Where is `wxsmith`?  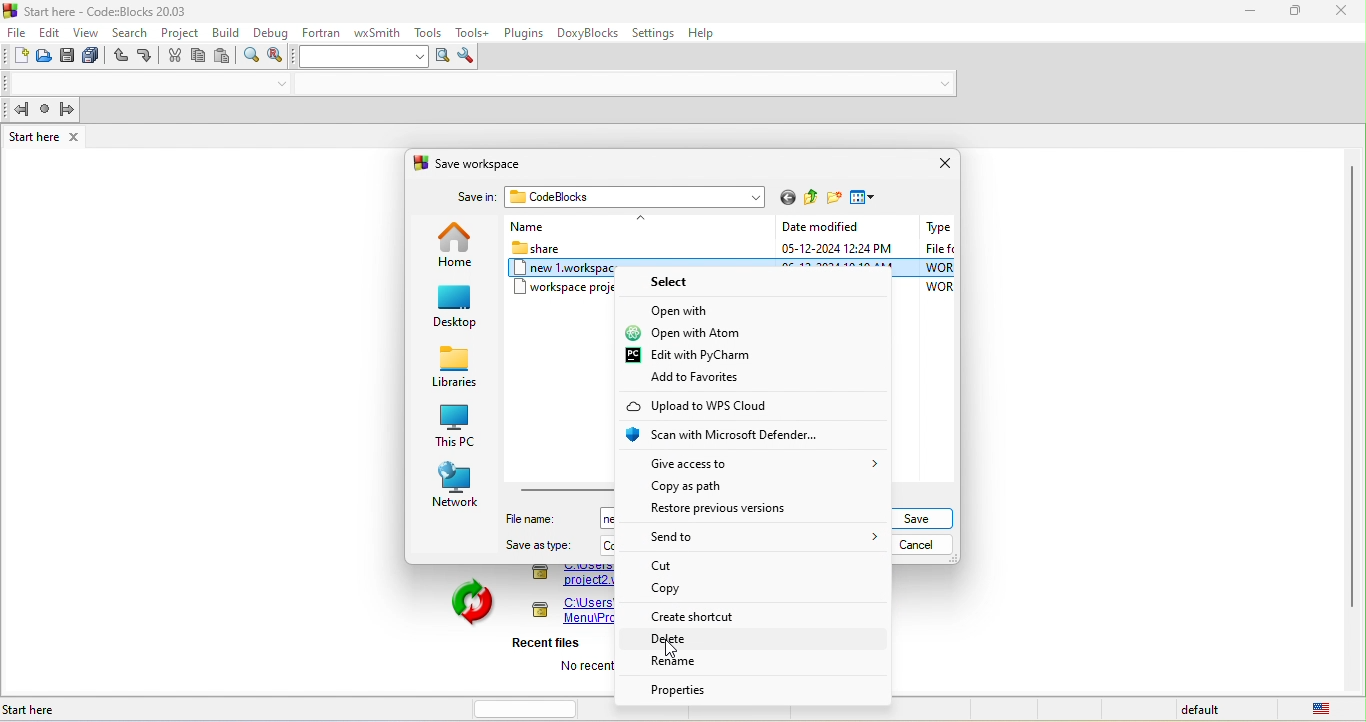 wxsmith is located at coordinates (379, 30).